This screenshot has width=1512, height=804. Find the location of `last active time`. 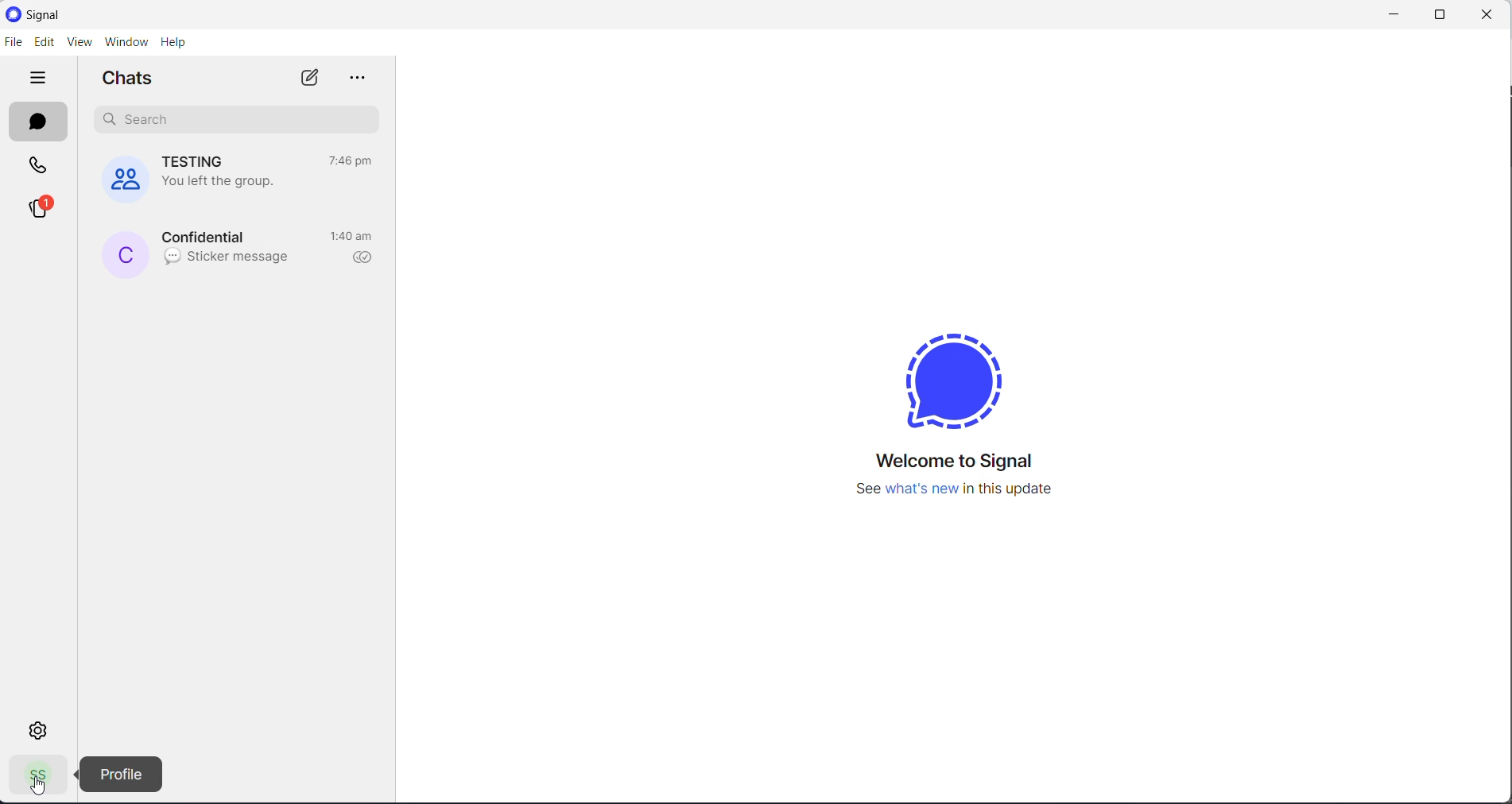

last active time is located at coordinates (354, 161).